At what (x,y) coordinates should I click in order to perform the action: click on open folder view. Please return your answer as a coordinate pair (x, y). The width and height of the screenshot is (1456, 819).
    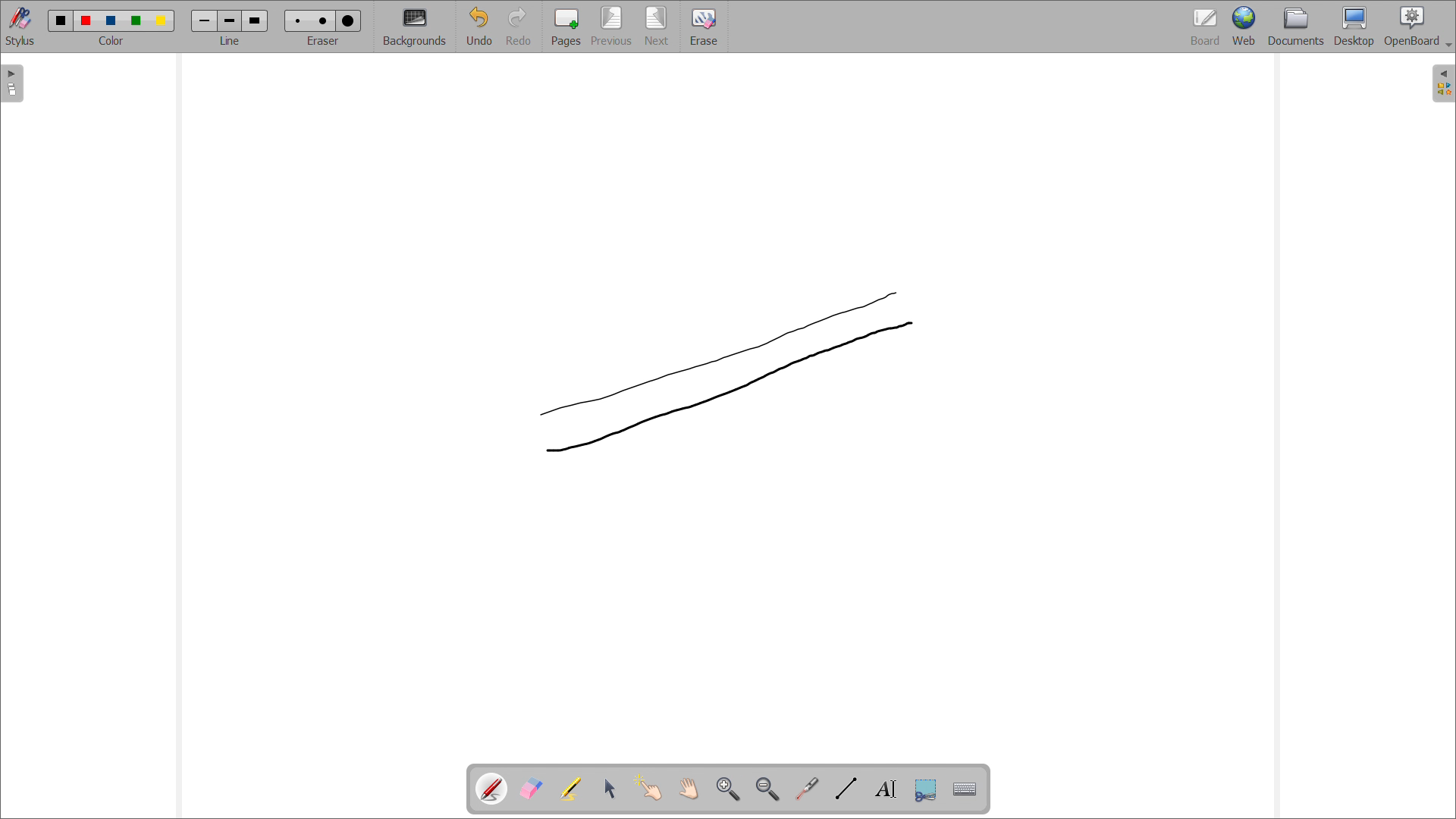
    Looking at the image, I should click on (1443, 83).